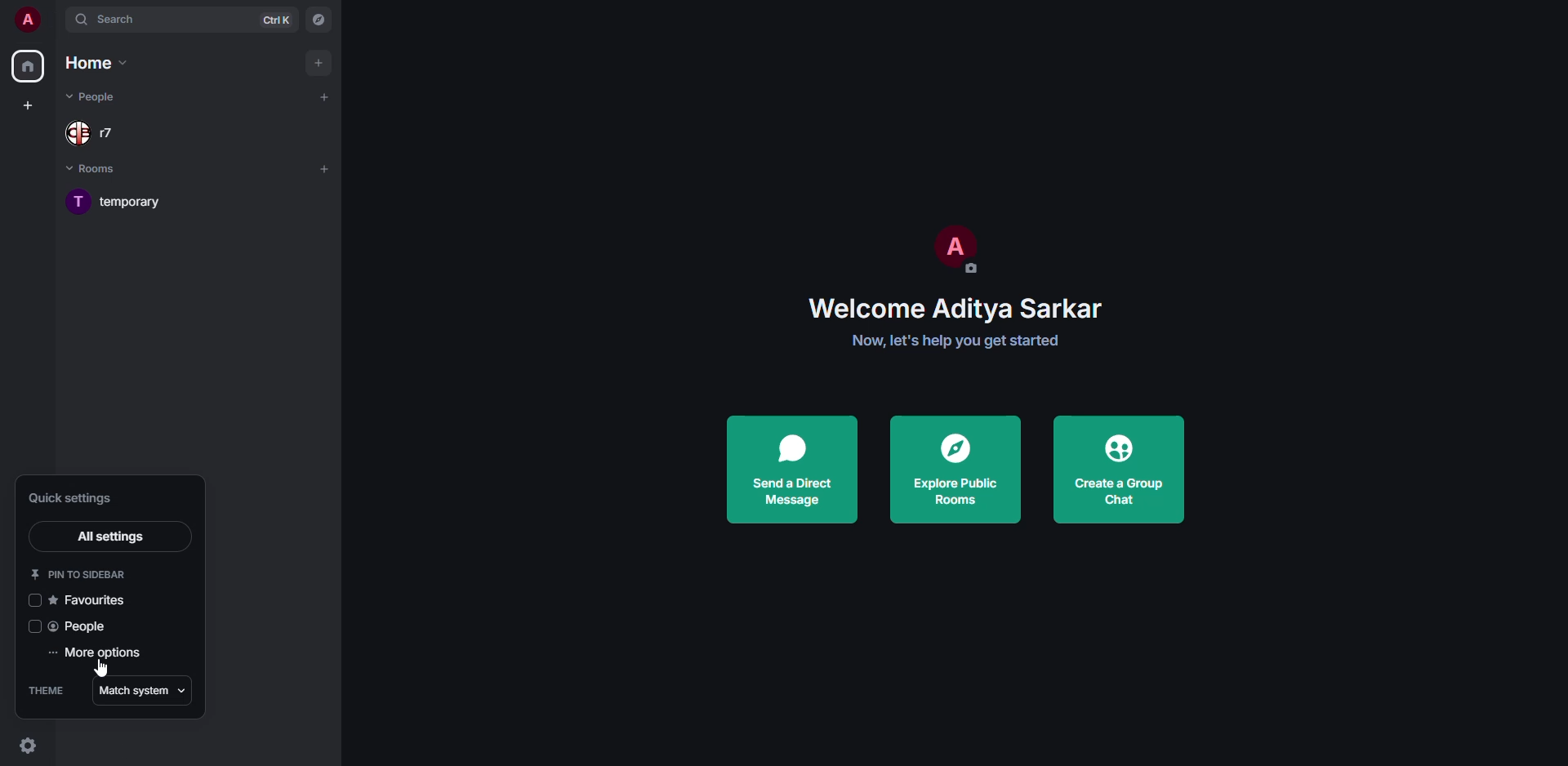  I want to click on favorites, so click(100, 599).